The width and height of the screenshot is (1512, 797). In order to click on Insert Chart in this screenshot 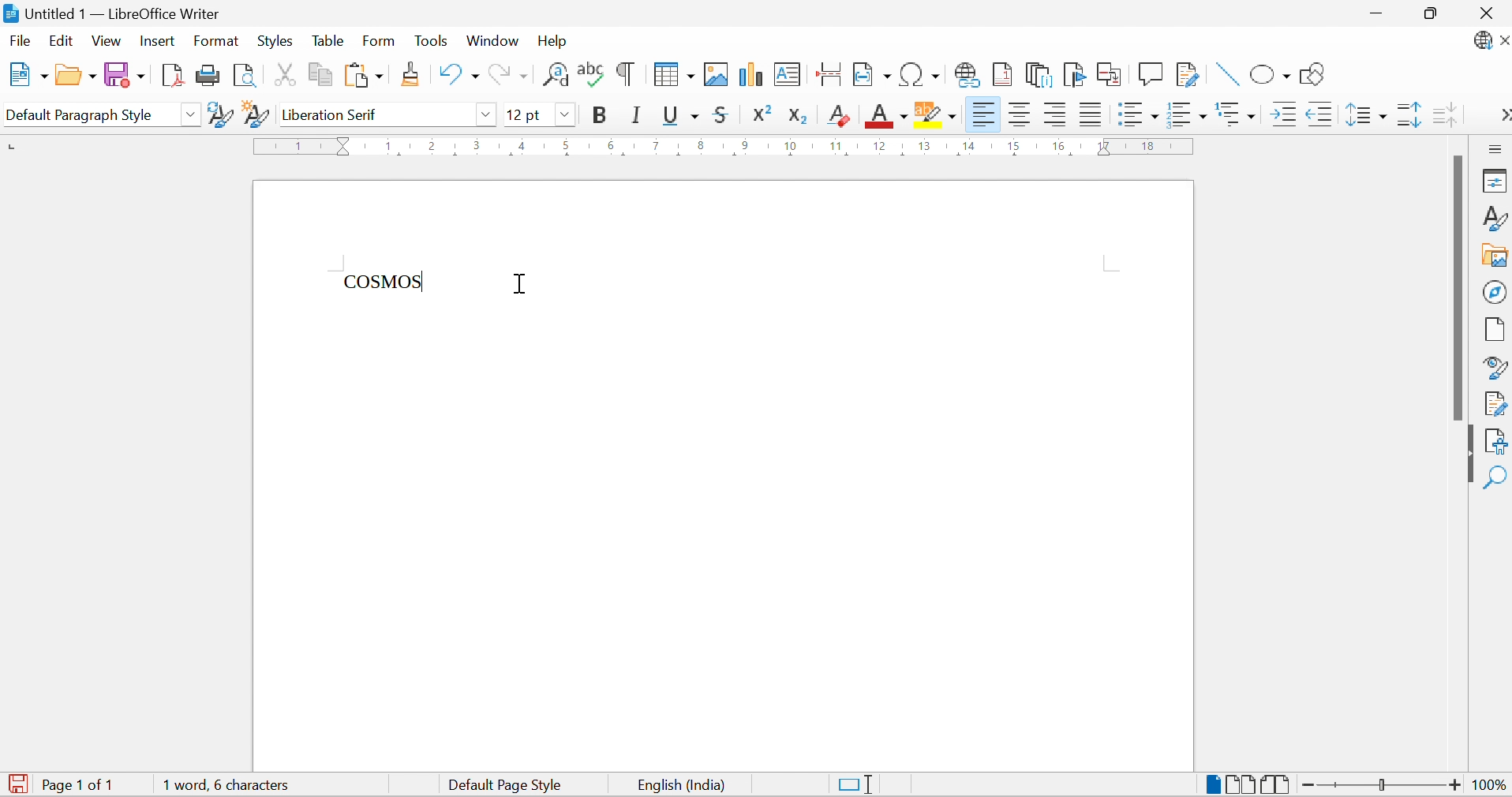, I will do `click(750, 74)`.